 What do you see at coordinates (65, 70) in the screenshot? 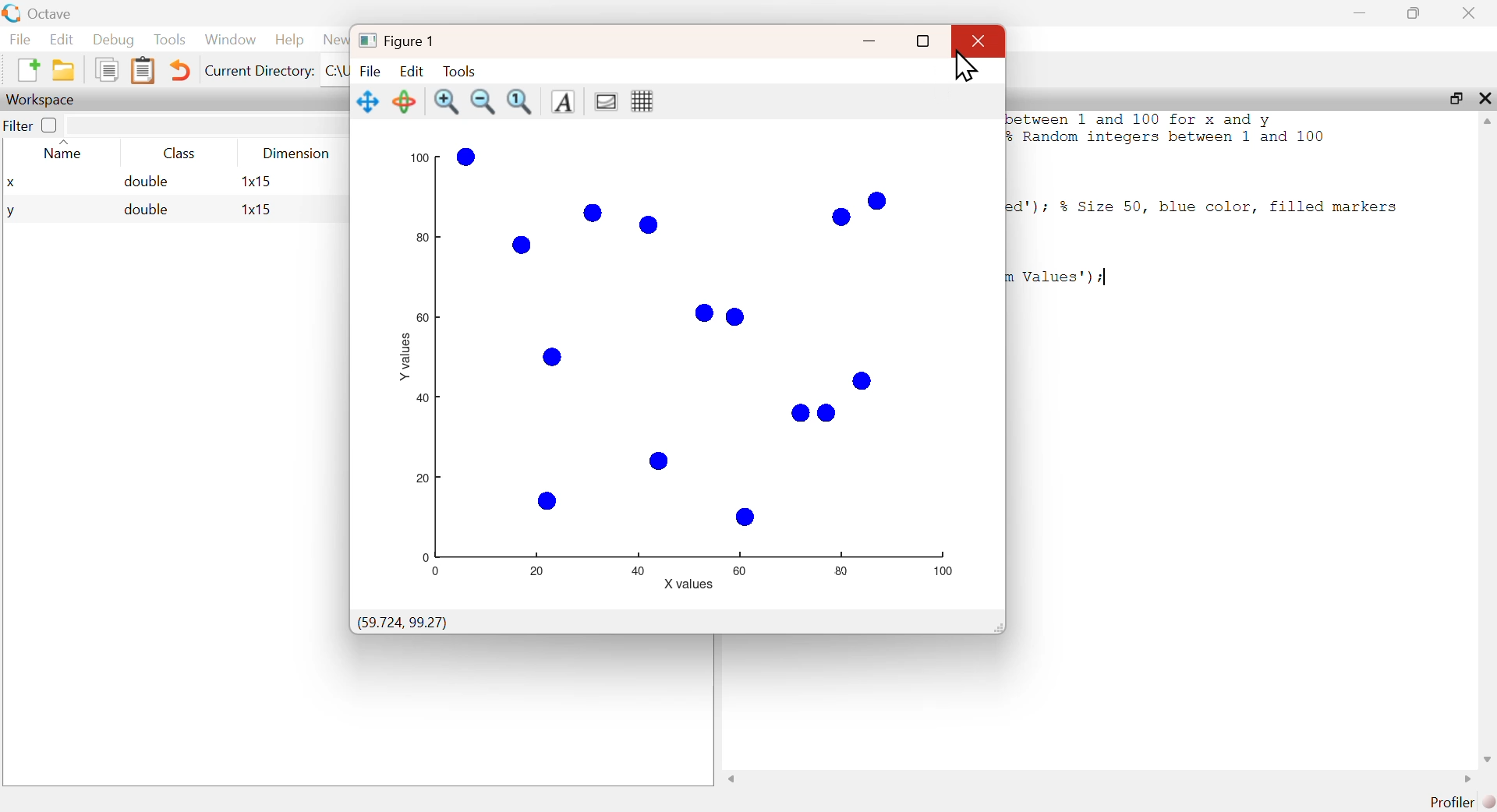
I see `New folder` at bounding box center [65, 70].